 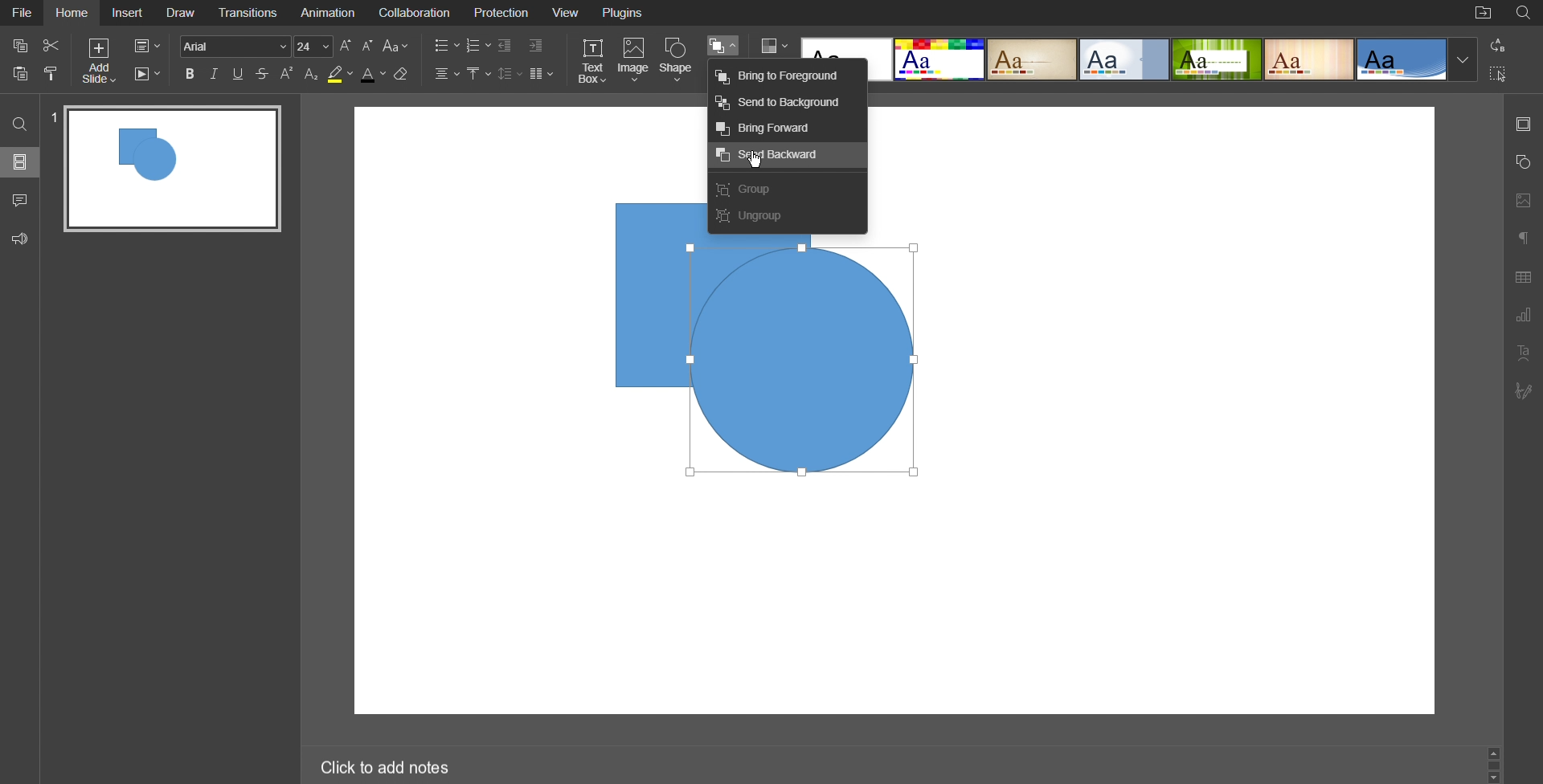 I want to click on Replace, so click(x=1496, y=45).